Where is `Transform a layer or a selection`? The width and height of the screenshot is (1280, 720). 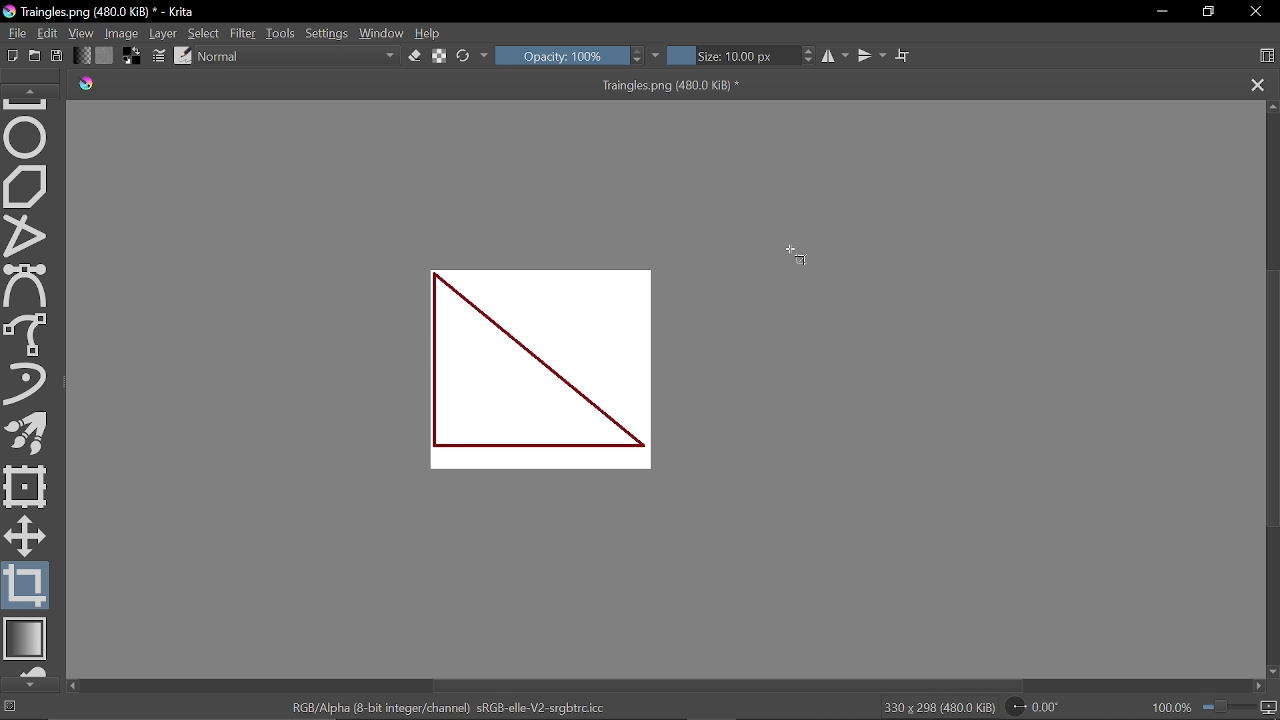 Transform a layer or a selection is located at coordinates (26, 485).